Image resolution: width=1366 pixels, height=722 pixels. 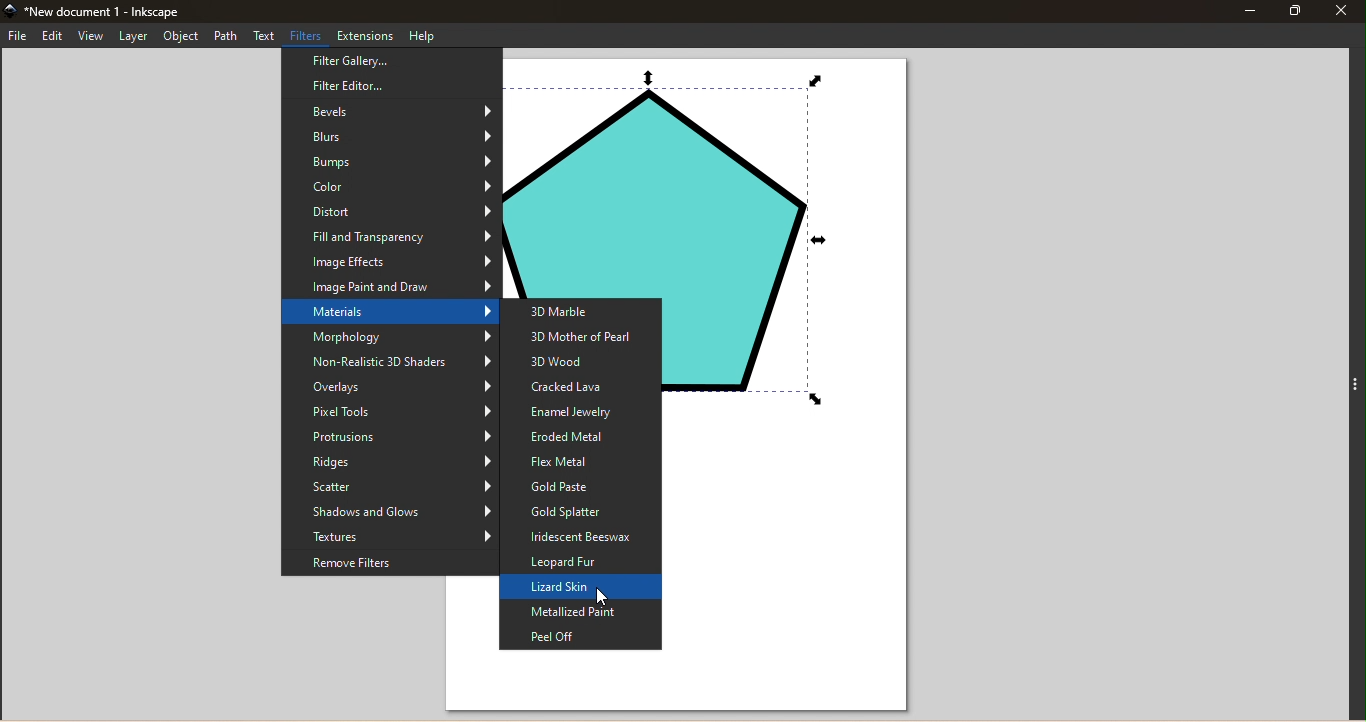 What do you see at coordinates (578, 637) in the screenshot?
I see `Peel Off` at bounding box center [578, 637].